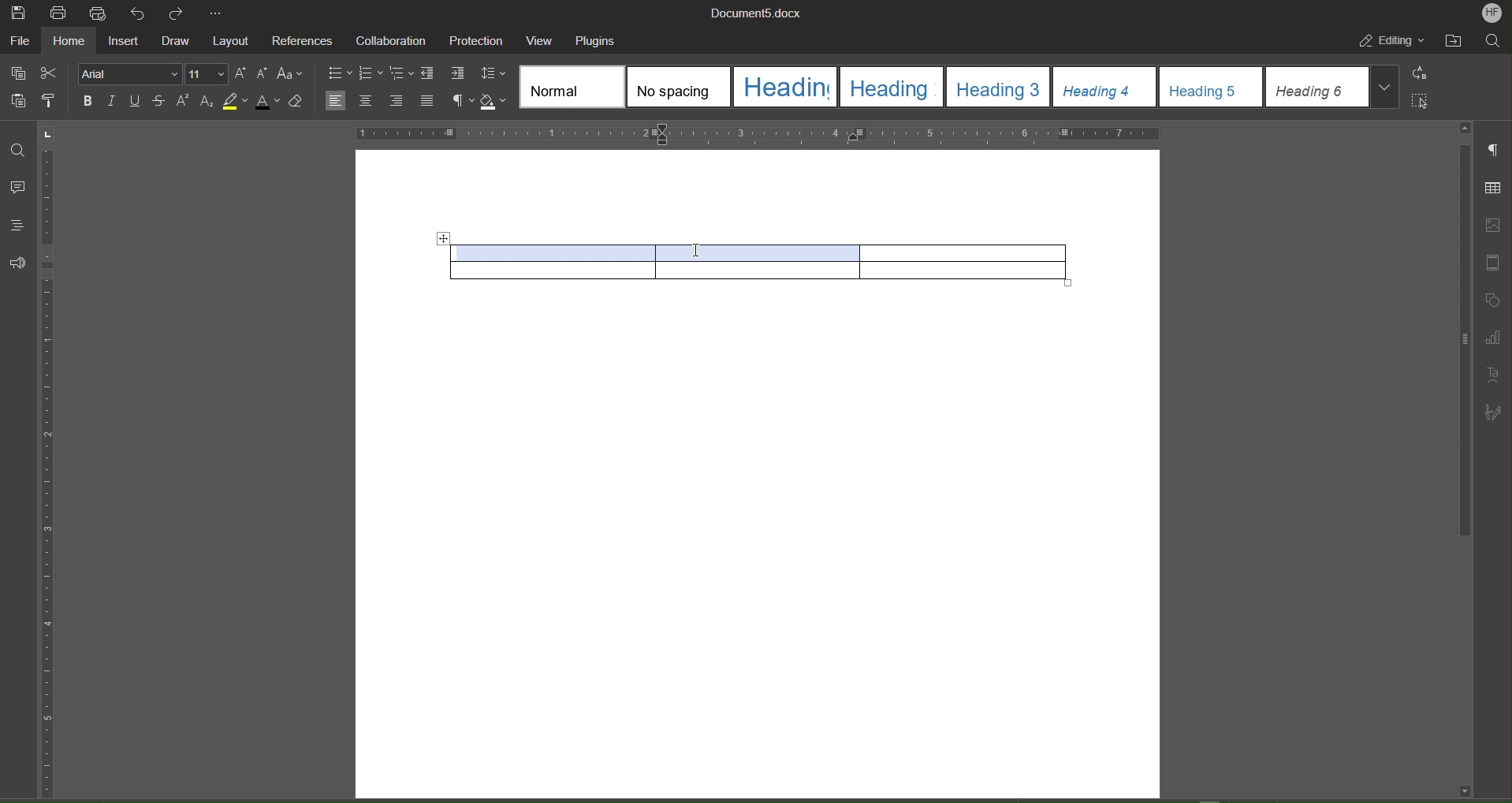 Image resolution: width=1512 pixels, height=803 pixels. Describe the element at coordinates (1496, 335) in the screenshot. I see `Graph Settings` at that location.